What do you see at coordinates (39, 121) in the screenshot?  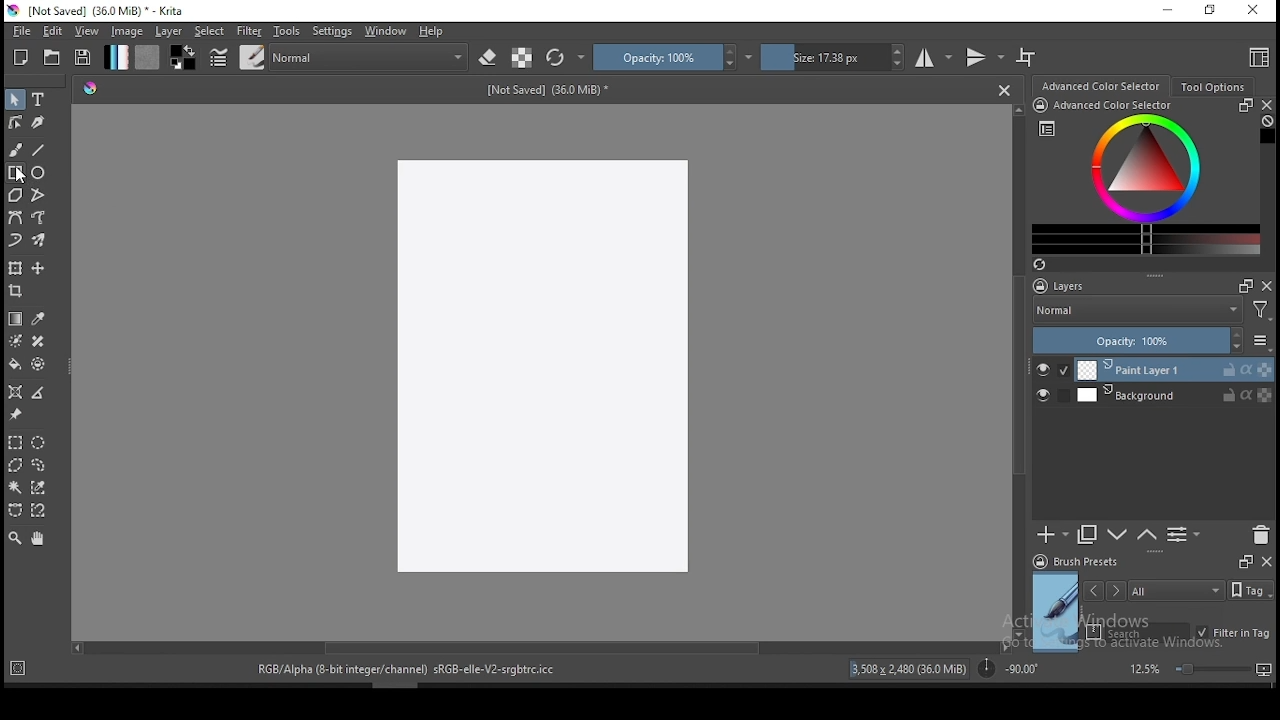 I see `calligraphy` at bounding box center [39, 121].